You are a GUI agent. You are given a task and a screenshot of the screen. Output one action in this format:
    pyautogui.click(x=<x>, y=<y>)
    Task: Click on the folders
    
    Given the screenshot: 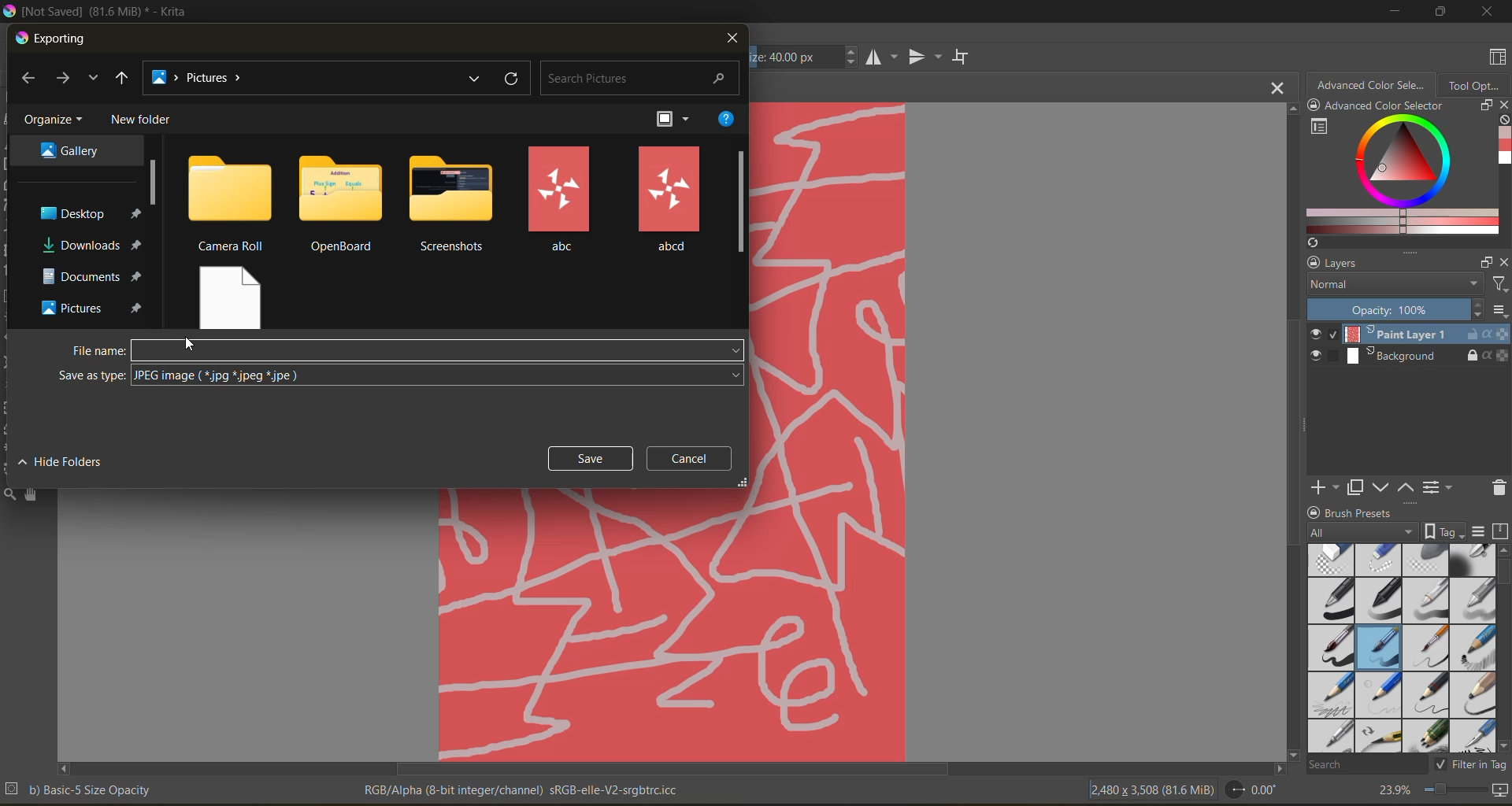 What is the action you would take?
    pyautogui.click(x=669, y=199)
    